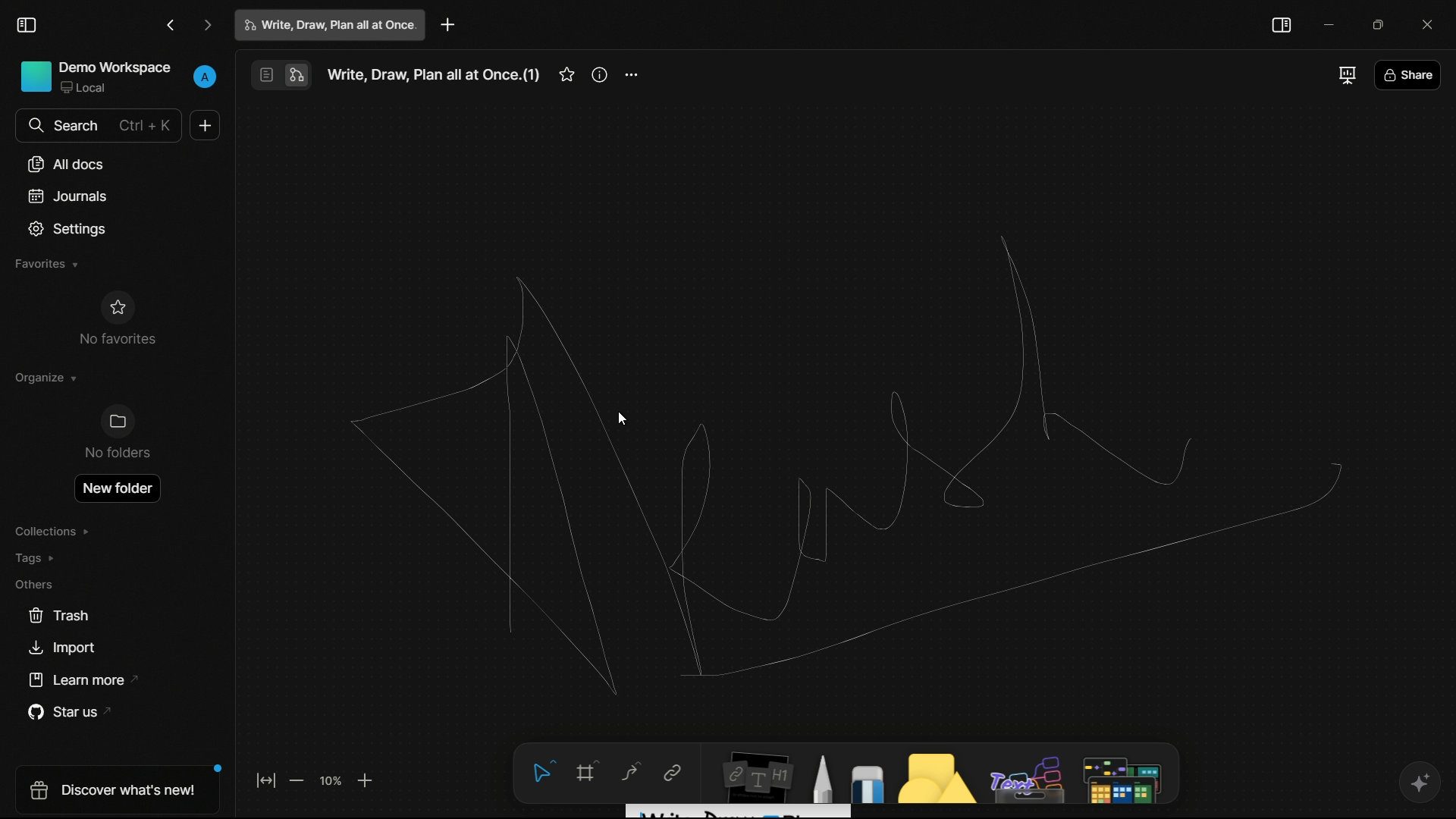  I want to click on favorites, so click(566, 76).